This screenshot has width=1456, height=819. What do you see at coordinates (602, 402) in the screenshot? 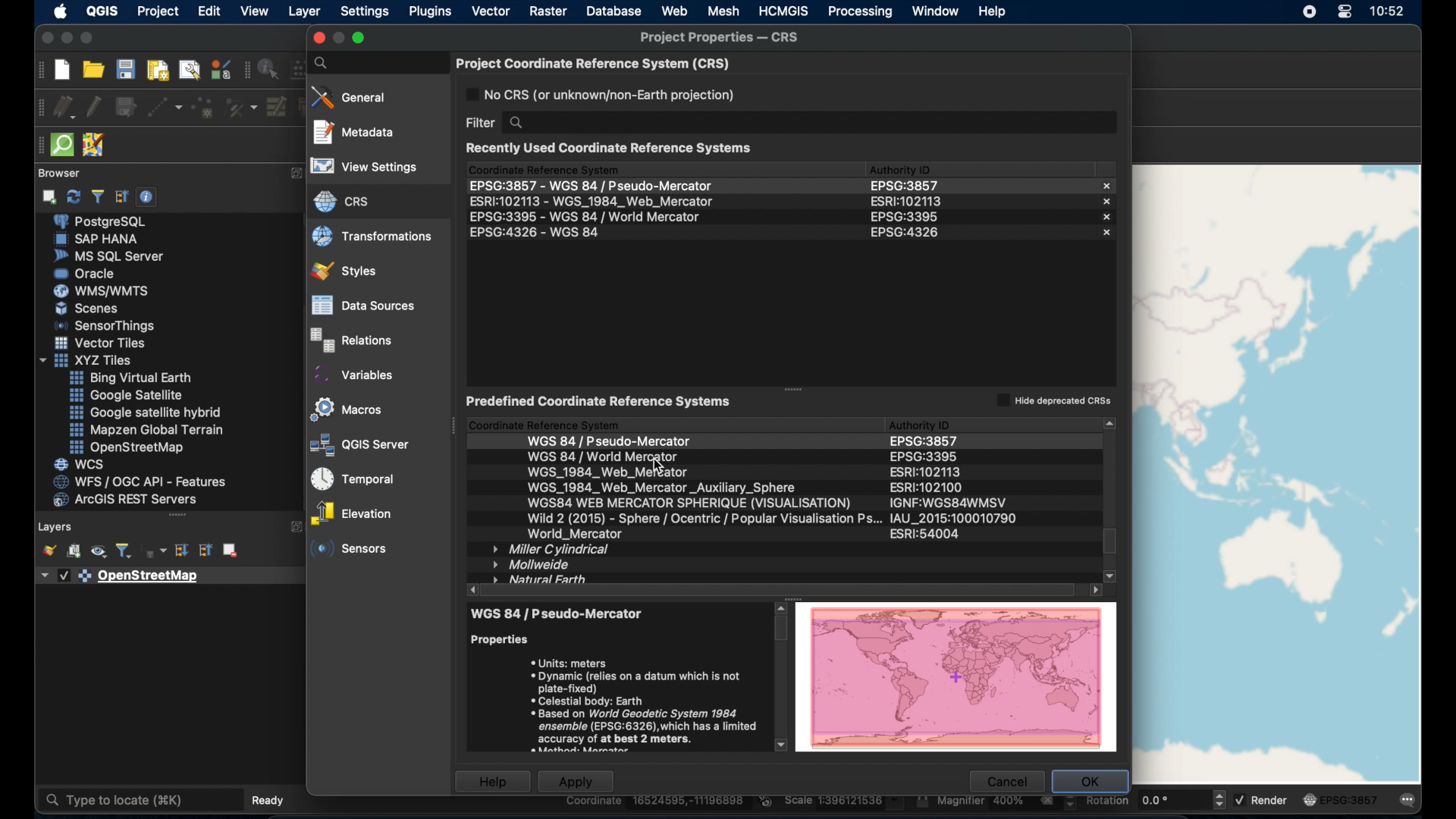
I see `predefined coordinate reference system` at bounding box center [602, 402].